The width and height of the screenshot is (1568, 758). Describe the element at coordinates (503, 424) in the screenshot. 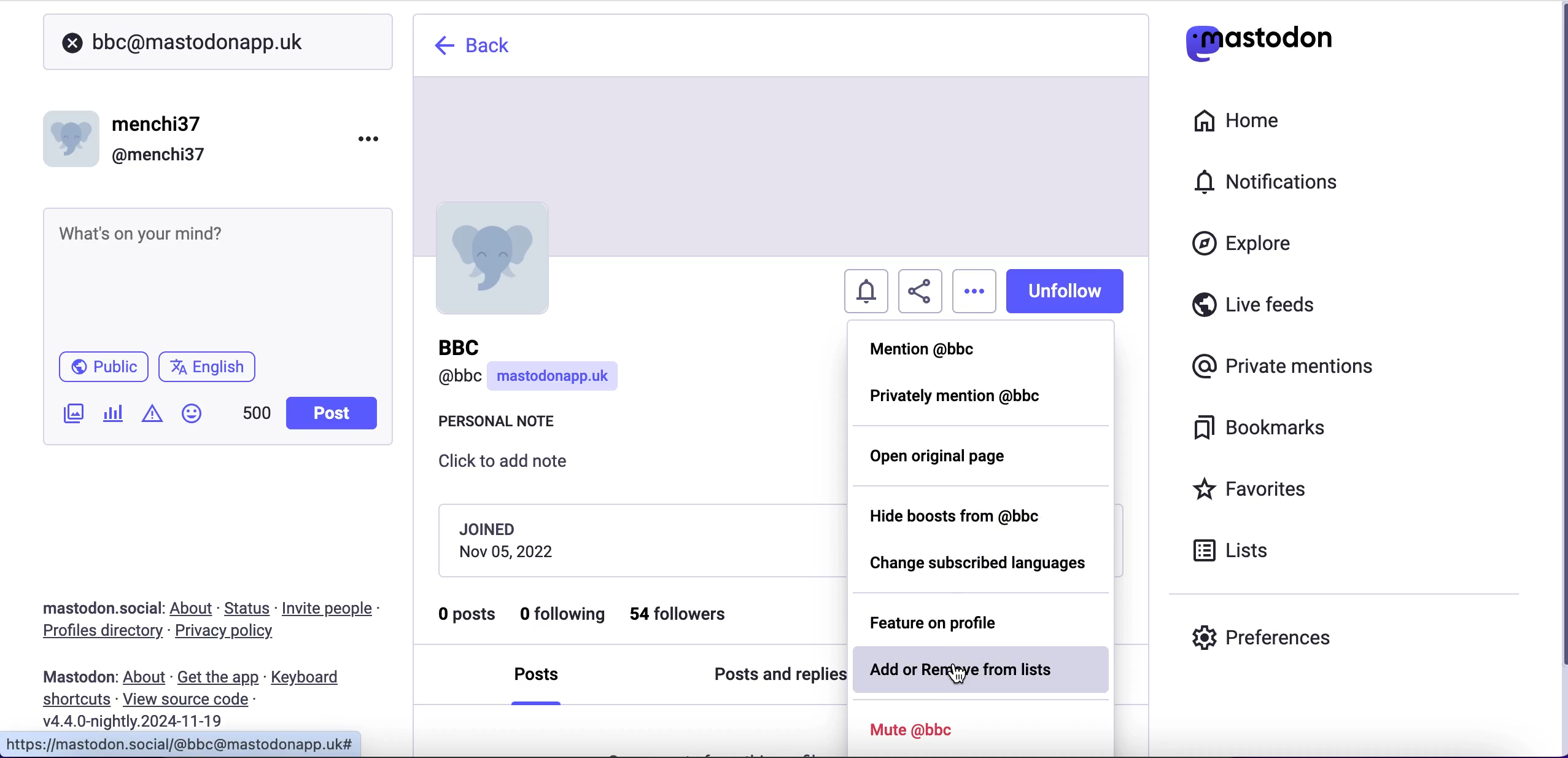

I see `personal note` at that location.